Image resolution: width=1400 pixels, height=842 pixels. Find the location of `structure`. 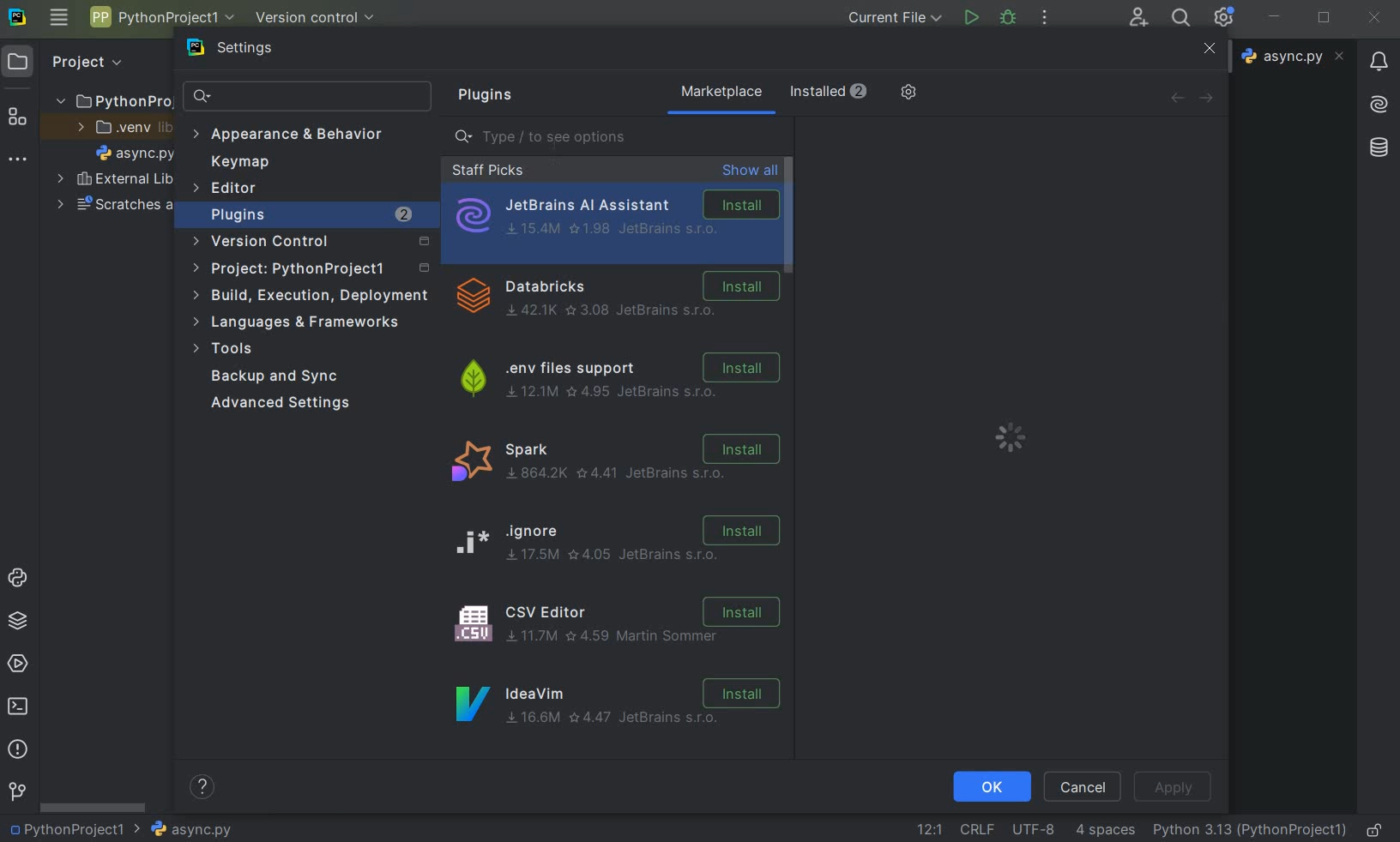

structure is located at coordinates (18, 114).